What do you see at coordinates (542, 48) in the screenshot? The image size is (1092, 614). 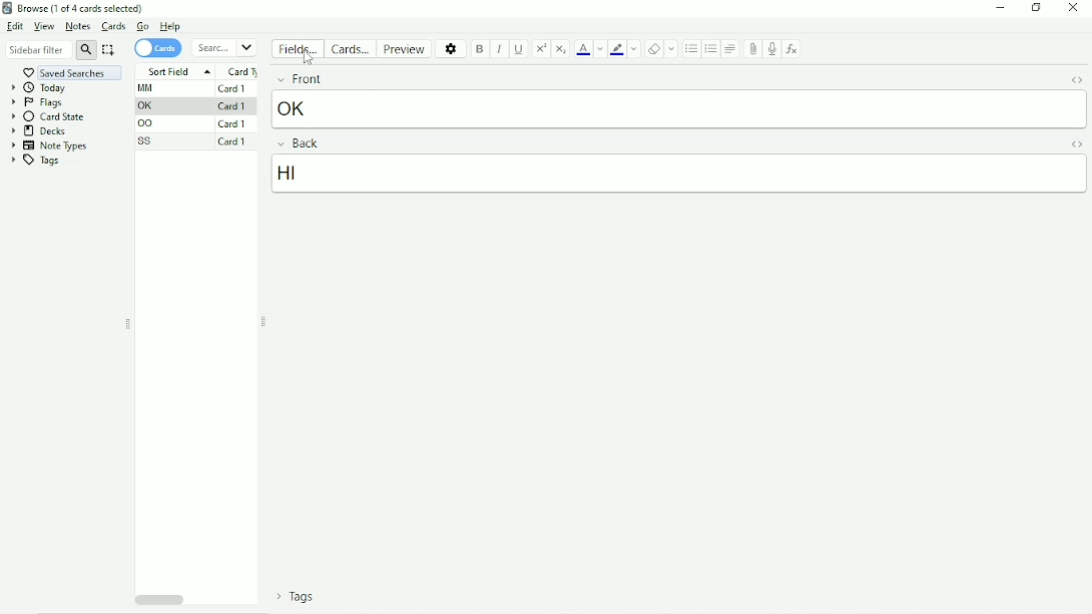 I see `Superscript` at bounding box center [542, 48].